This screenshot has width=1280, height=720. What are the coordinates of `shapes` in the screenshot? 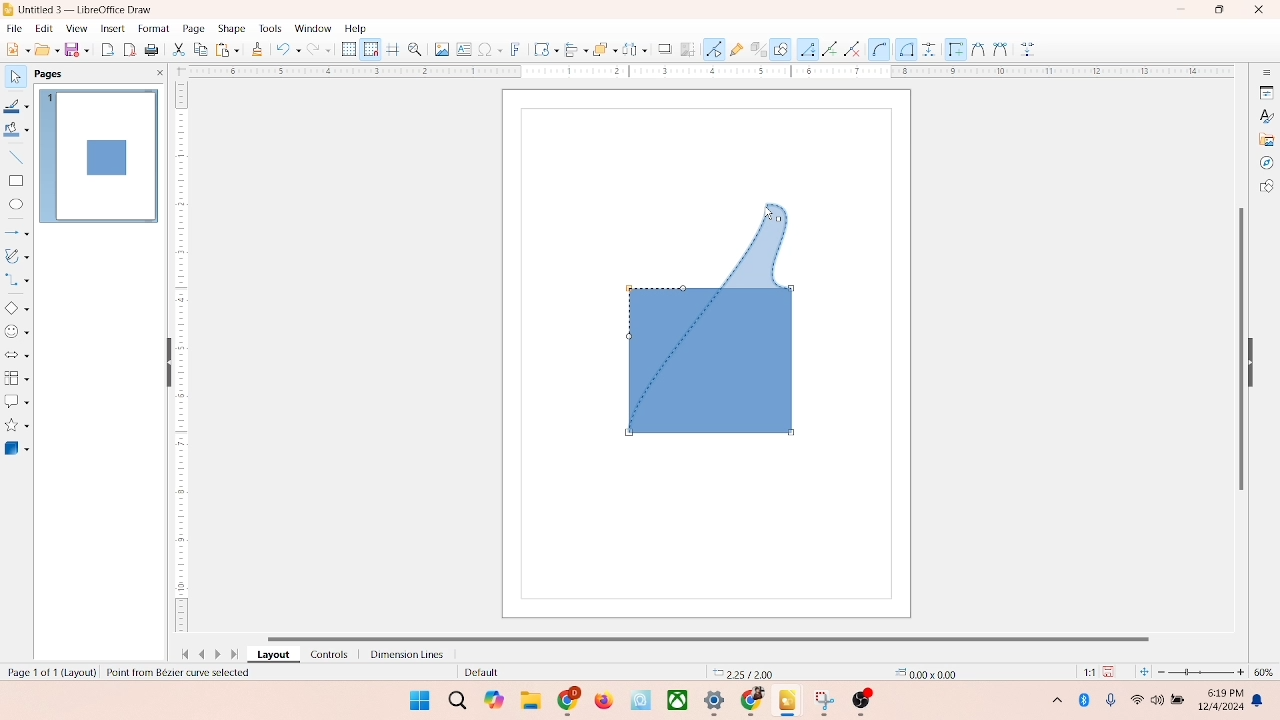 It's located at (712, 318).